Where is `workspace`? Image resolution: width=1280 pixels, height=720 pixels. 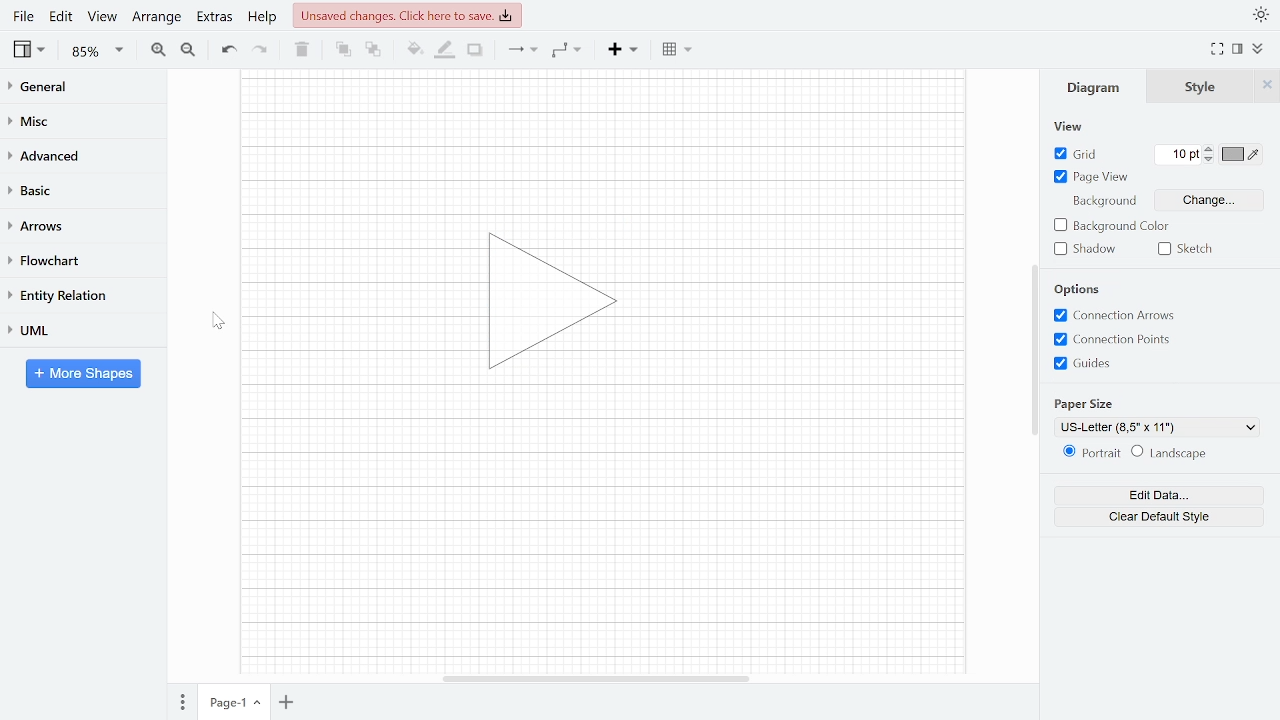
workspace is located at coordinates (343, 302).